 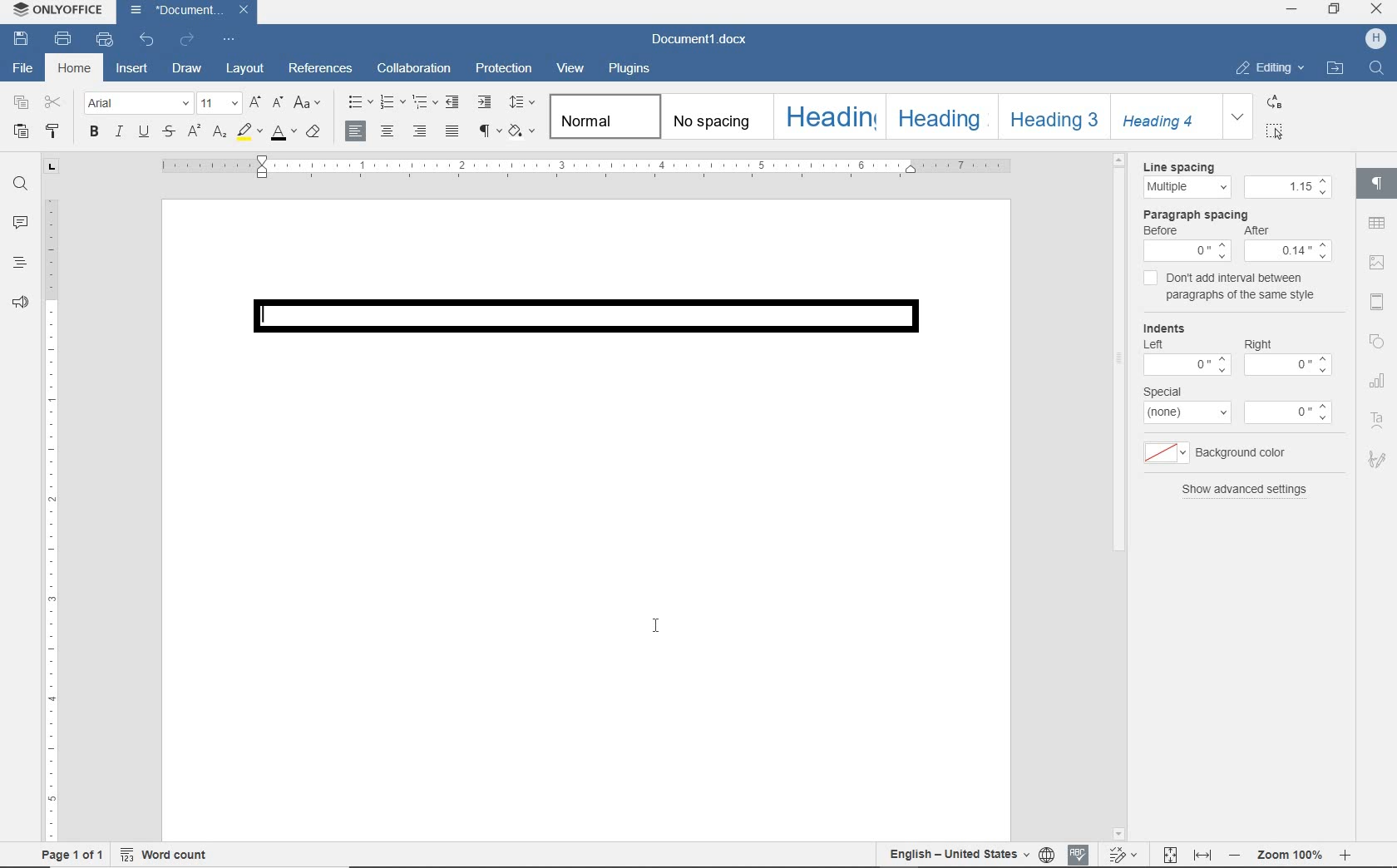 I want to click on no spacing, so click(x=715, y=123).